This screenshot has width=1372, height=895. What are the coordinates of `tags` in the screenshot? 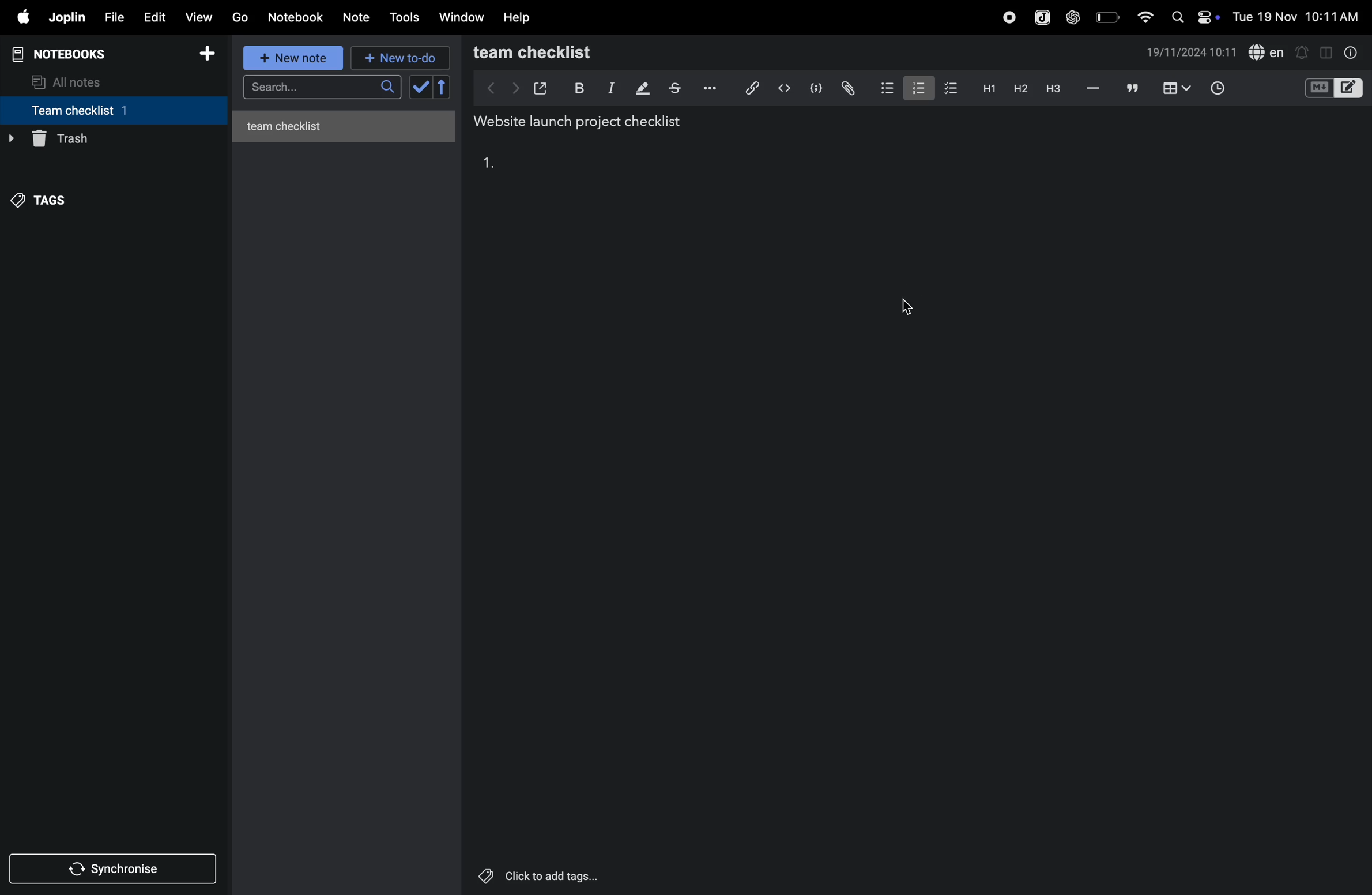 It's located at (47, 197).